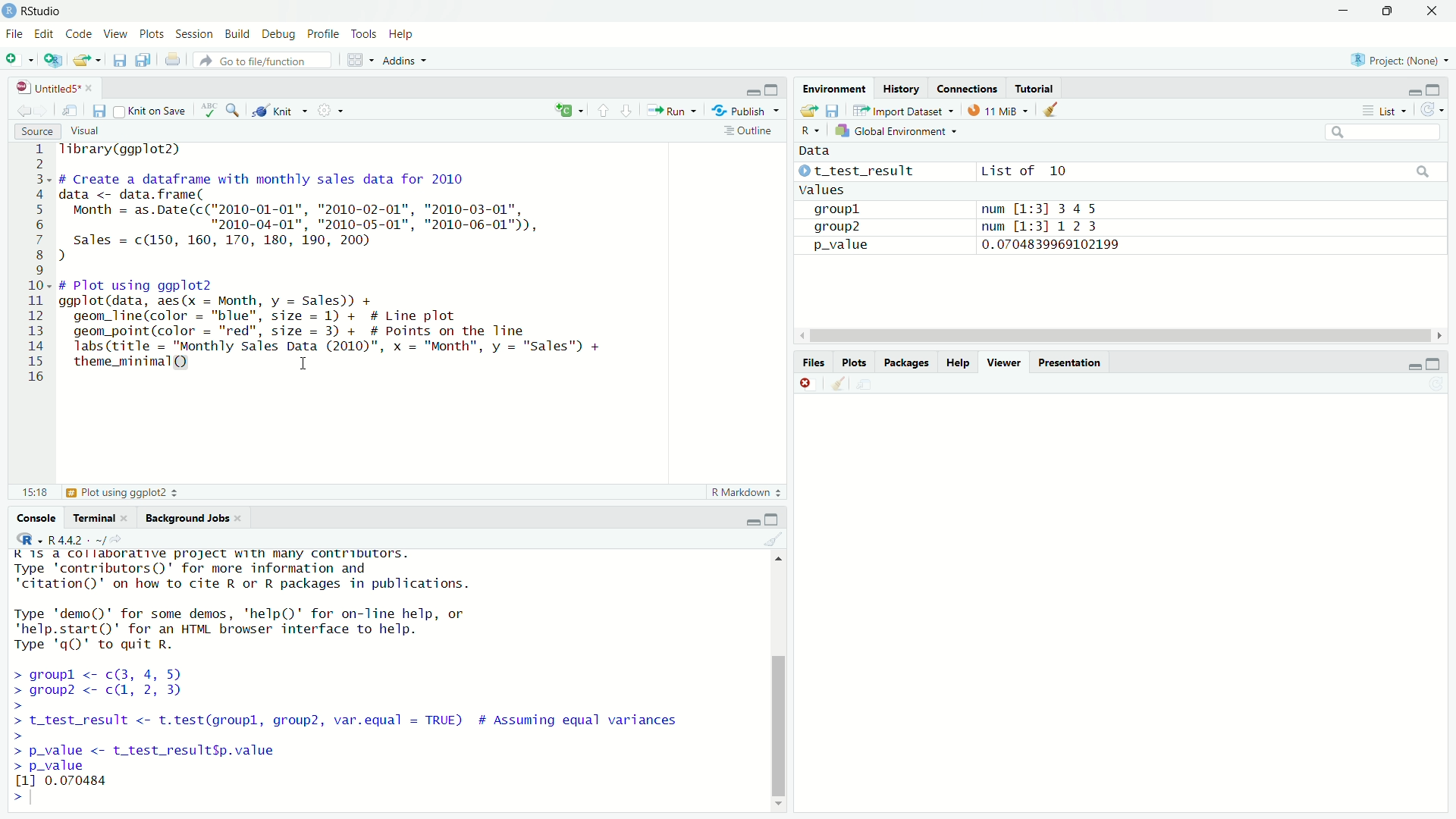 The image size is (1456, 819). I want to click on maximise, so click(771, 88).